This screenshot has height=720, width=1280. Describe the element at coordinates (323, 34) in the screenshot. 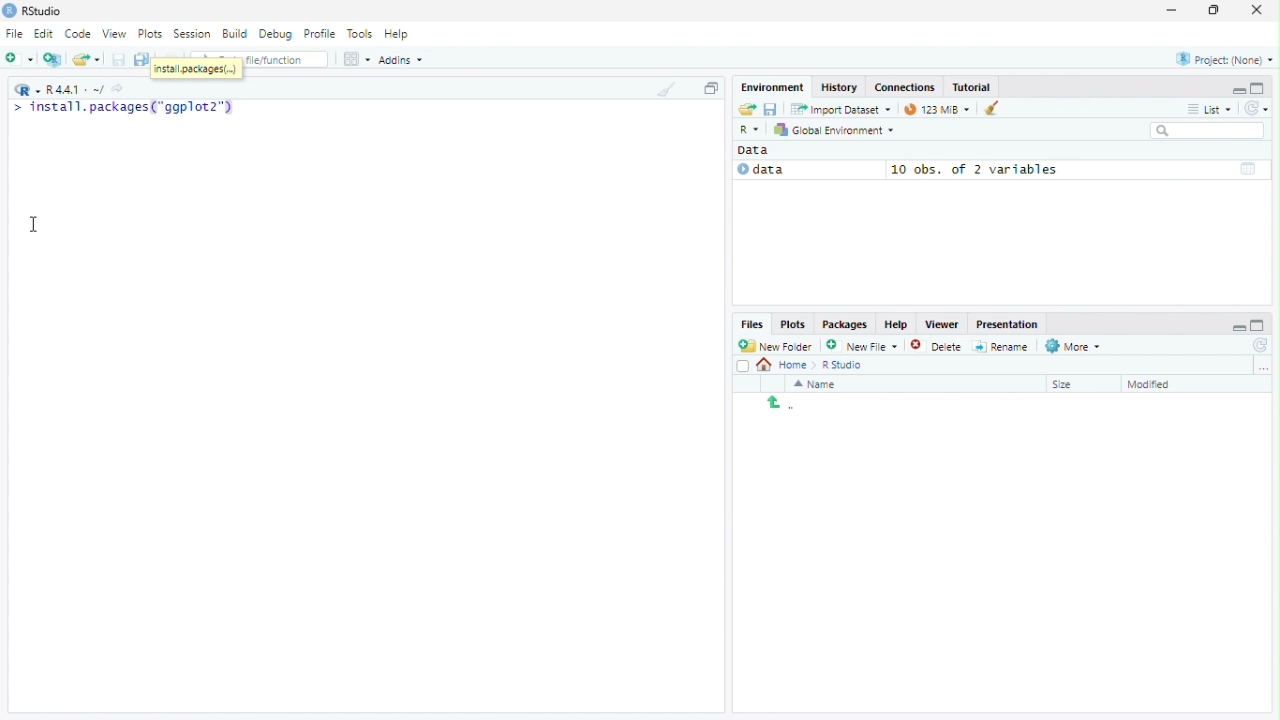

I see `Profile` at that location.